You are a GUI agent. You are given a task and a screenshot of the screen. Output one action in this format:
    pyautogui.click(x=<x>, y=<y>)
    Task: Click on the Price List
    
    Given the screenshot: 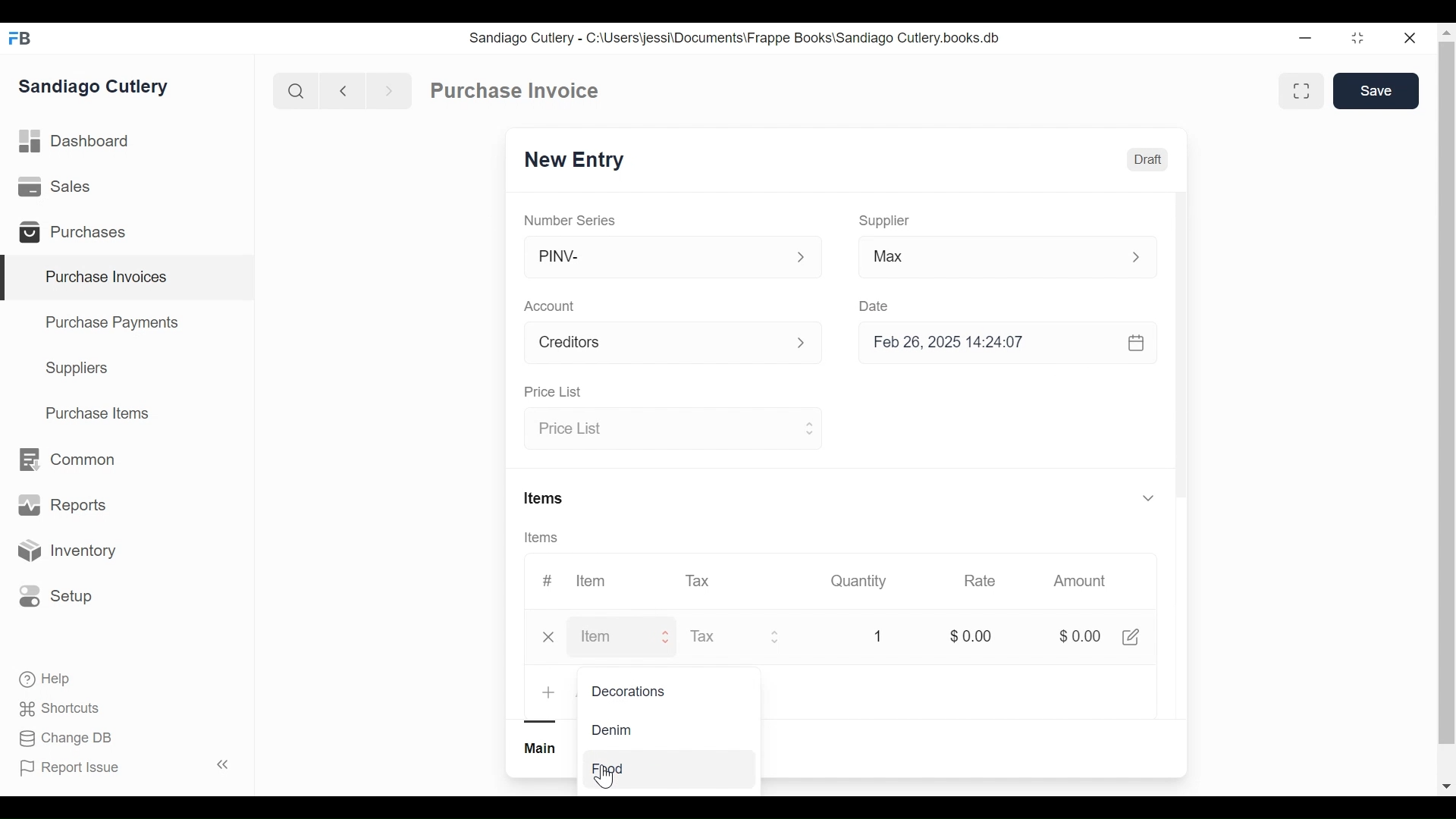 What is the action you would take?
    pyautogui.click(x=557, y=393)
    